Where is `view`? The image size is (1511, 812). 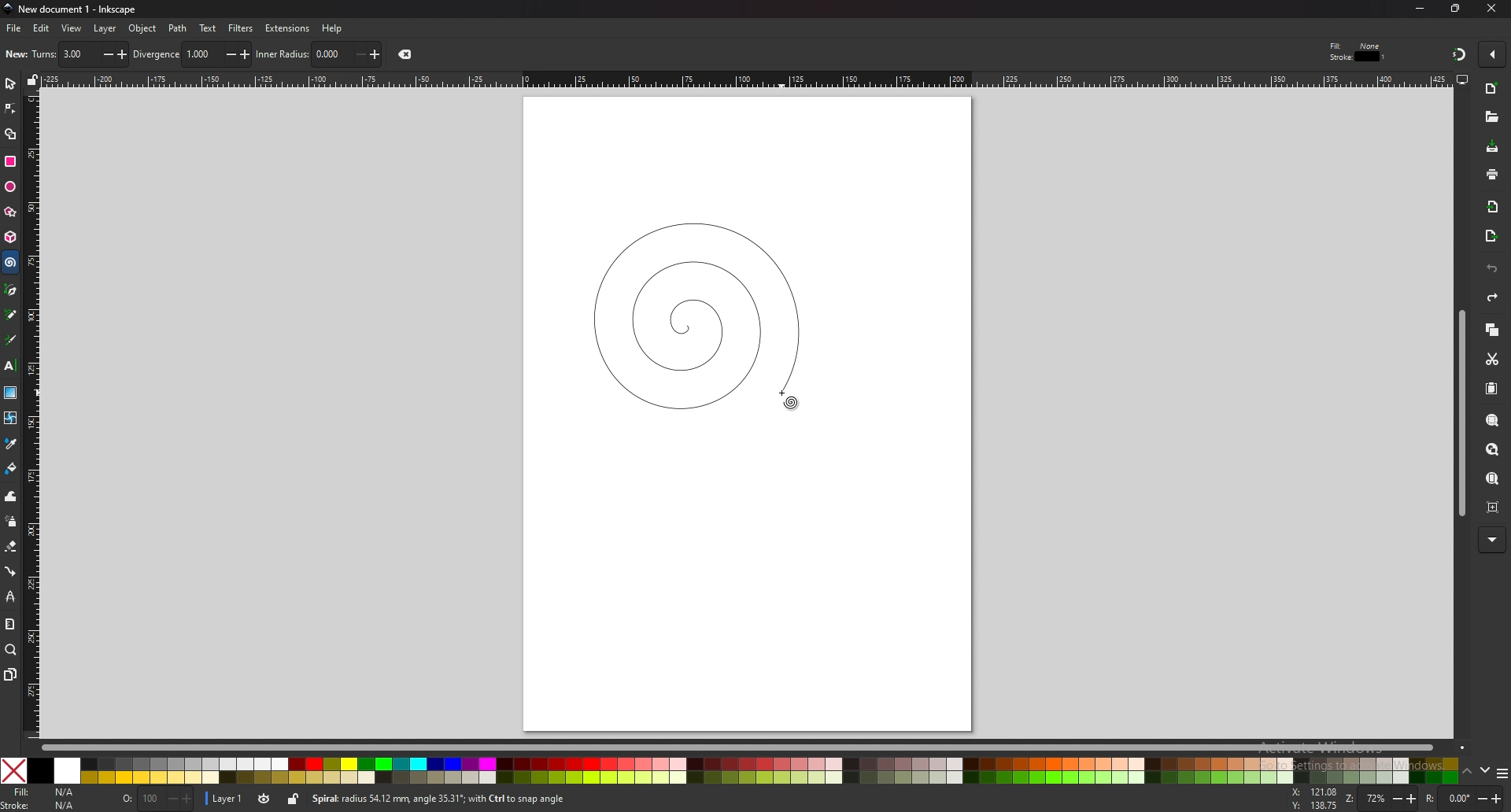 view is located at coordinates (72, 29).